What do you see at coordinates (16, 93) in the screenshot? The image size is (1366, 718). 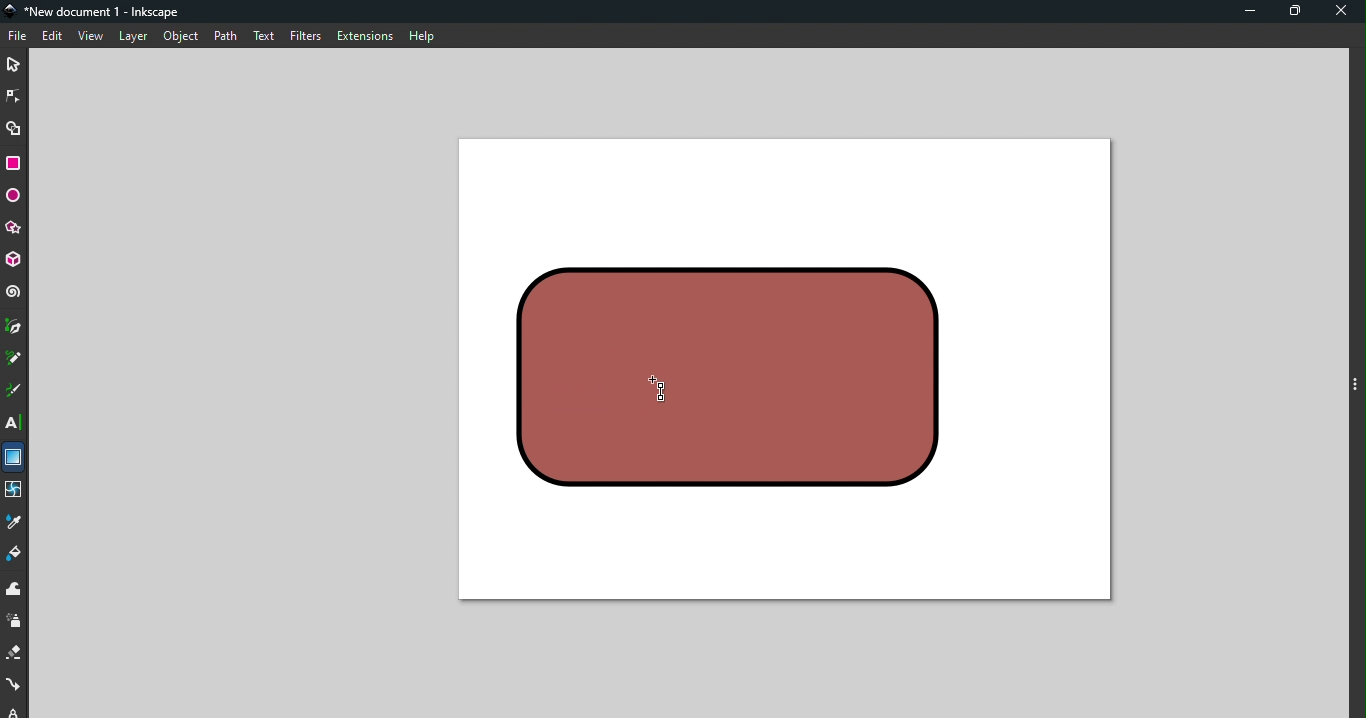 I see `Node tool` at bounding box center [16, 93].